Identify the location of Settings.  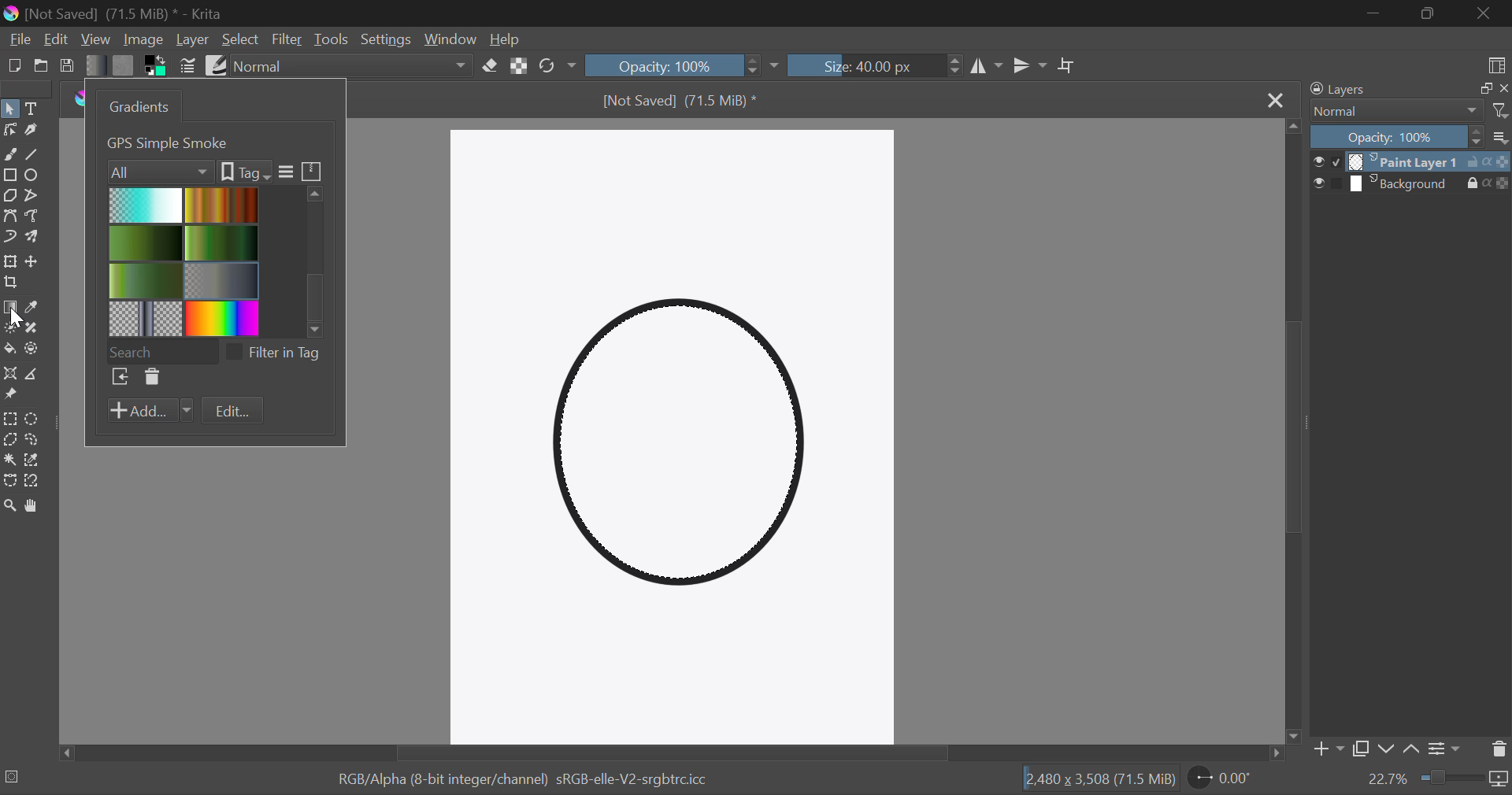
(384, 39).